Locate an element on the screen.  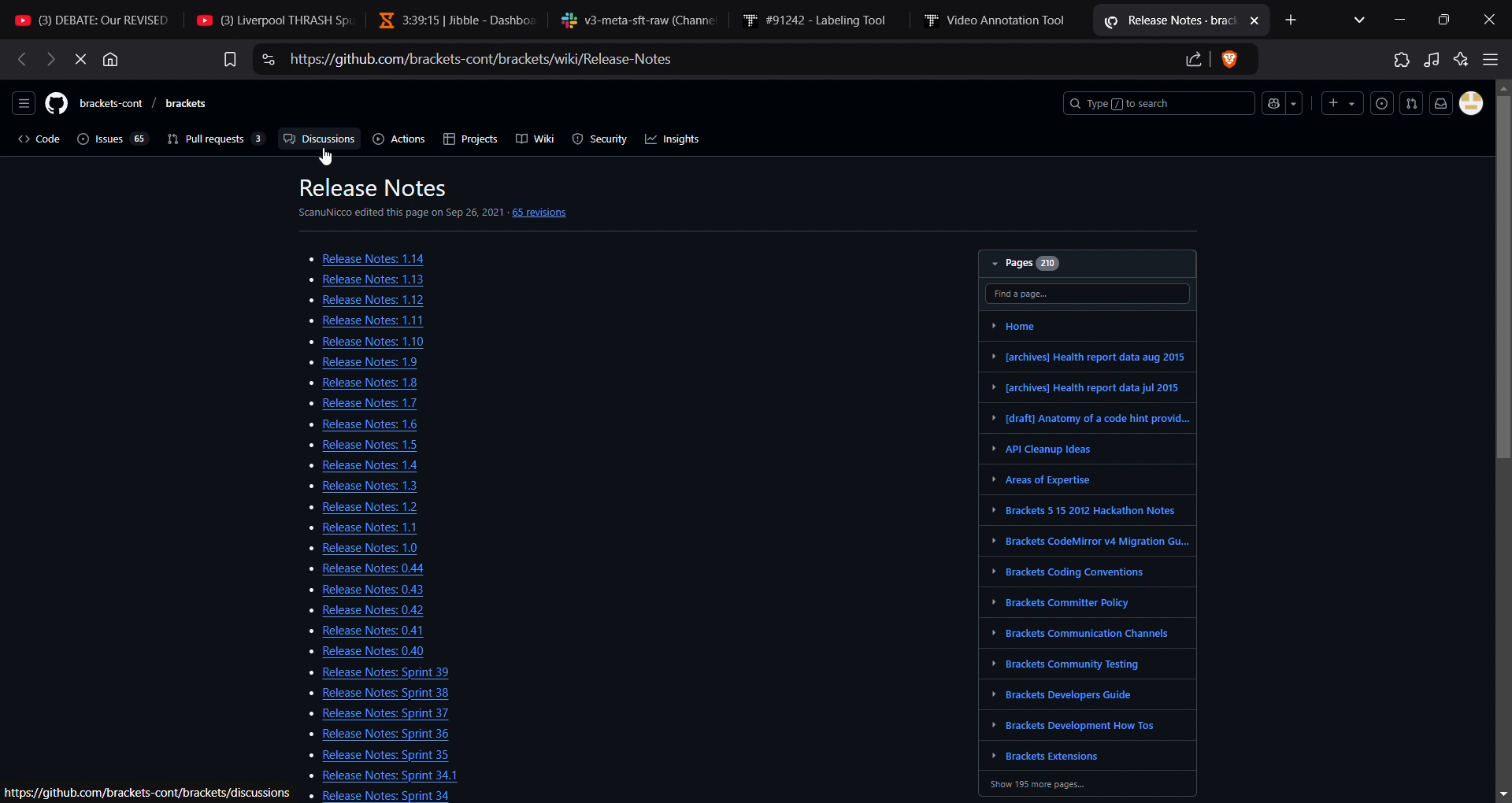
release notes - brackets is located at coordinates (1180, 19).